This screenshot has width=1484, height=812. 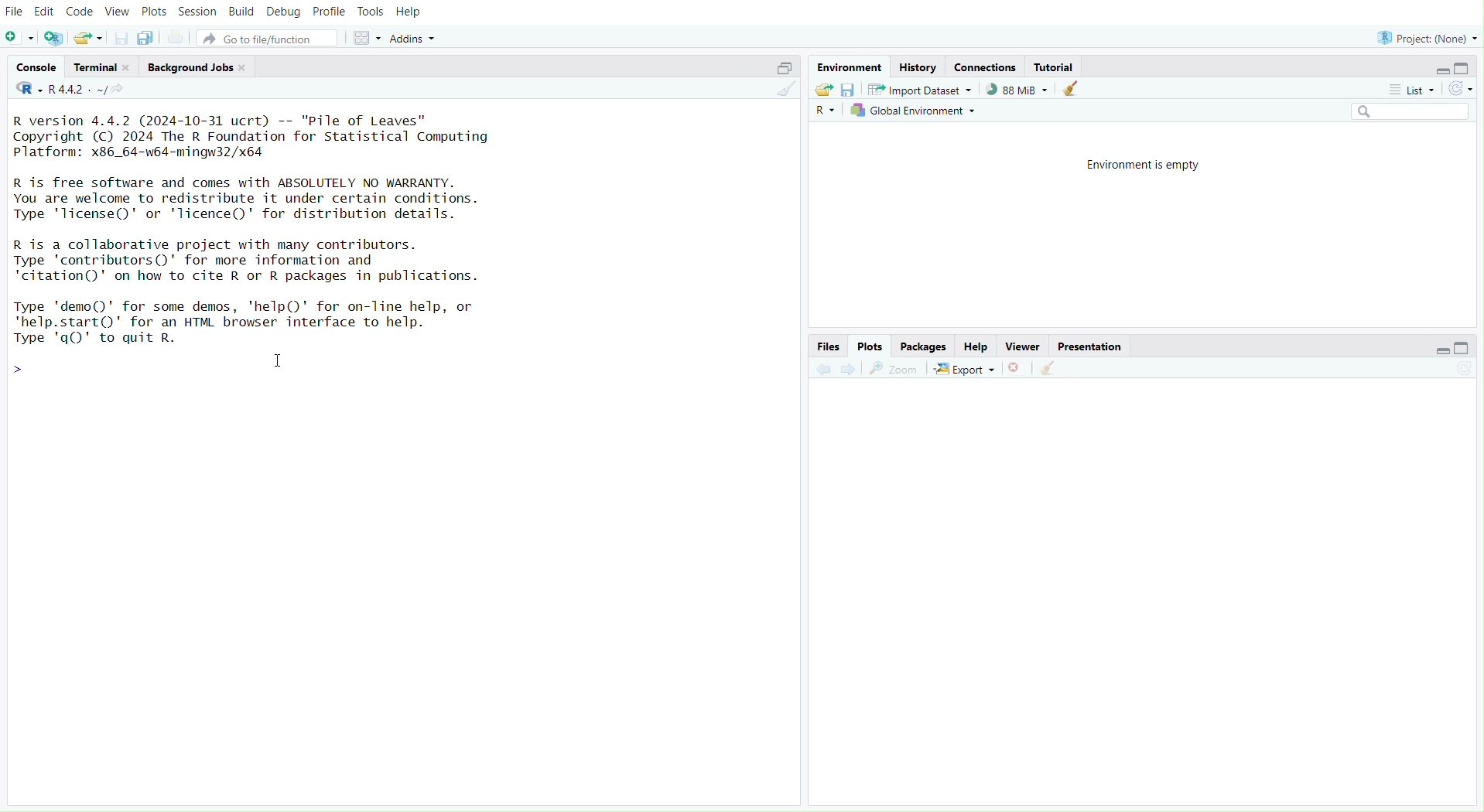 I want to click on Project (None), so click(x=1428, y=36).